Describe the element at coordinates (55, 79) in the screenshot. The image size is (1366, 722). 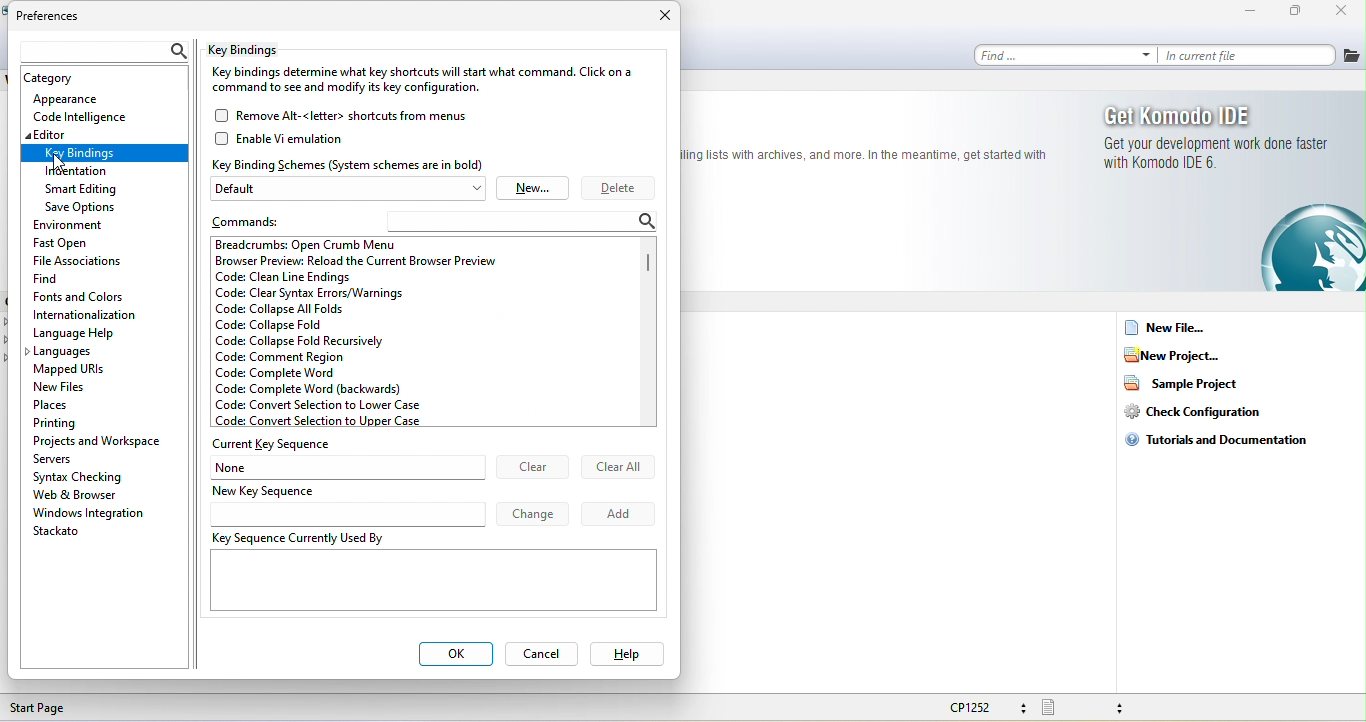
I see `category` at that location.